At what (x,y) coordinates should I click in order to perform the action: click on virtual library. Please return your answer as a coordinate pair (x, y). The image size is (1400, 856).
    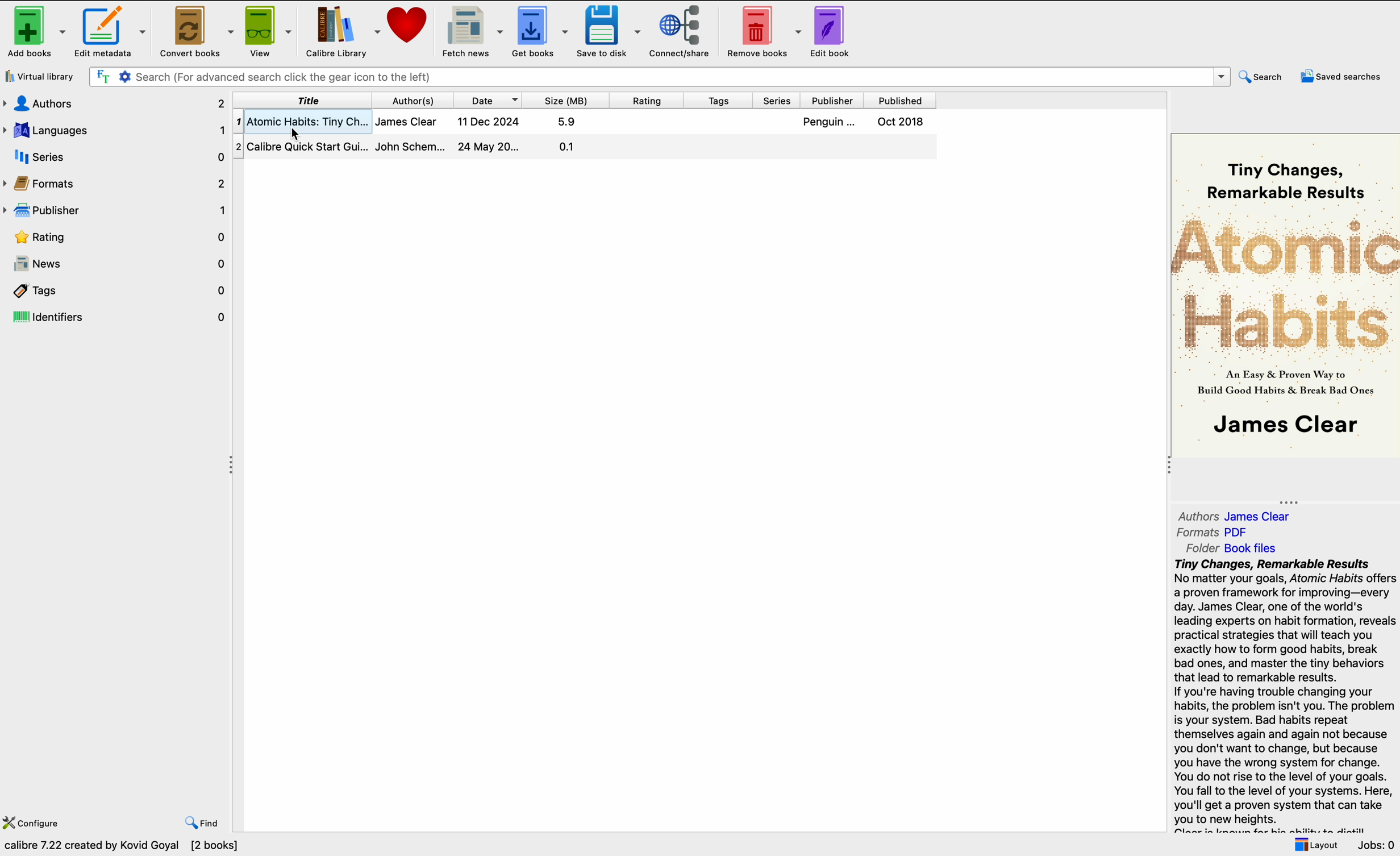
    Looking at the image, I should click on (41, 77).